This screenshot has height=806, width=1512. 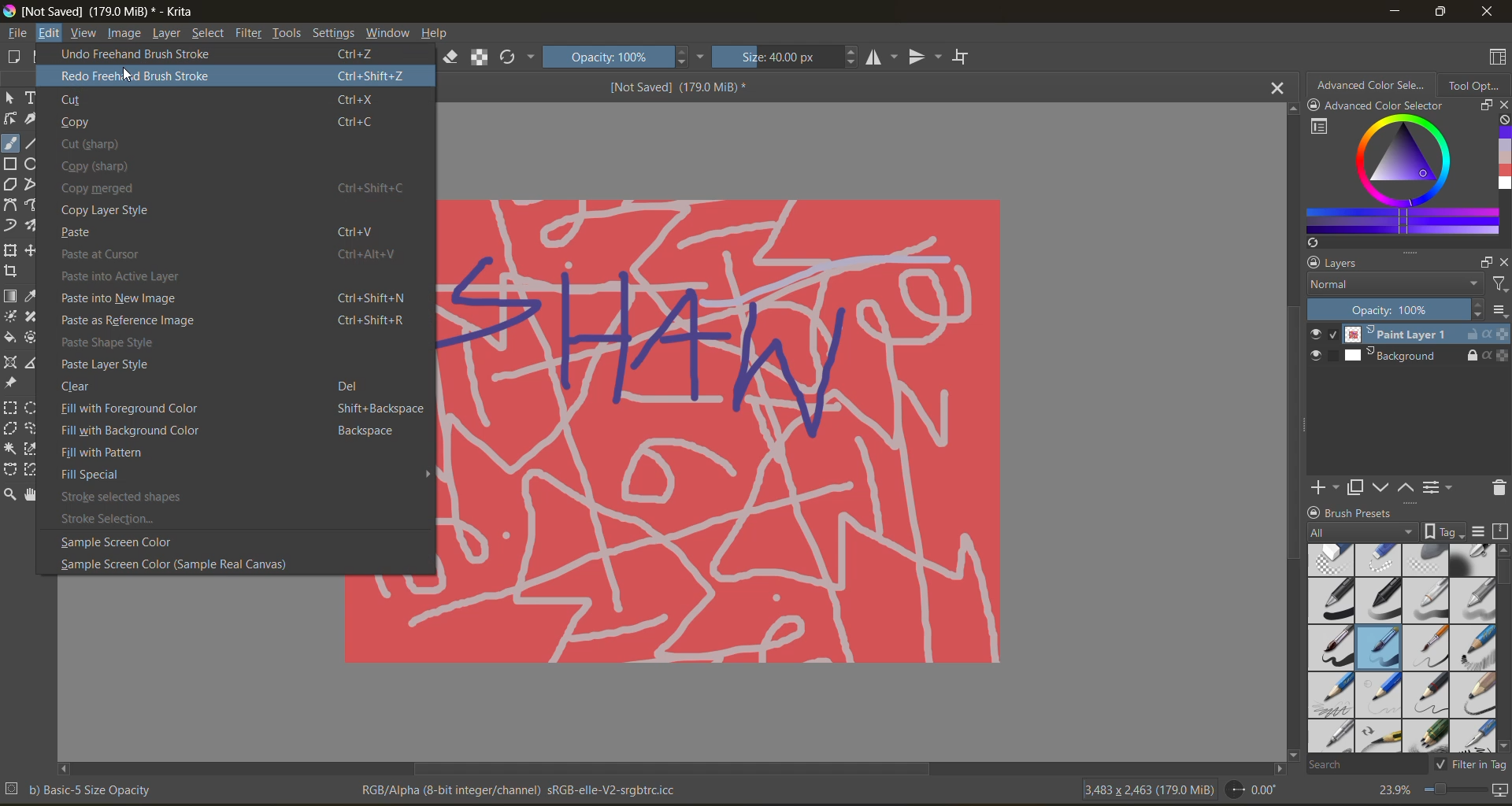 I want to click on vertical scroll bar, so click(x=1291, y=441).